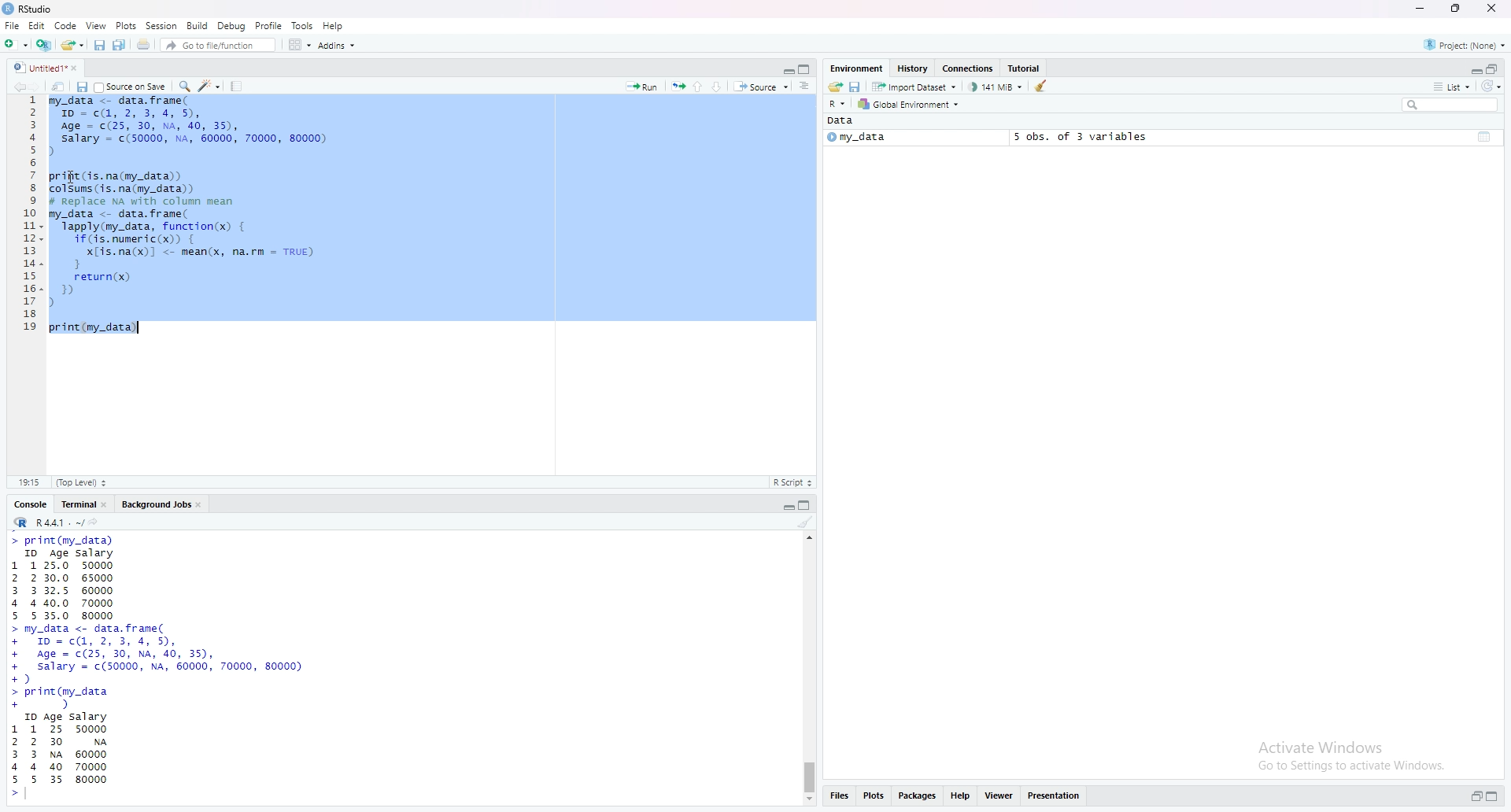  What do you see at coordinates (16, 87) in the screenshot?
I see `go back` at bounding box center [16, 87].